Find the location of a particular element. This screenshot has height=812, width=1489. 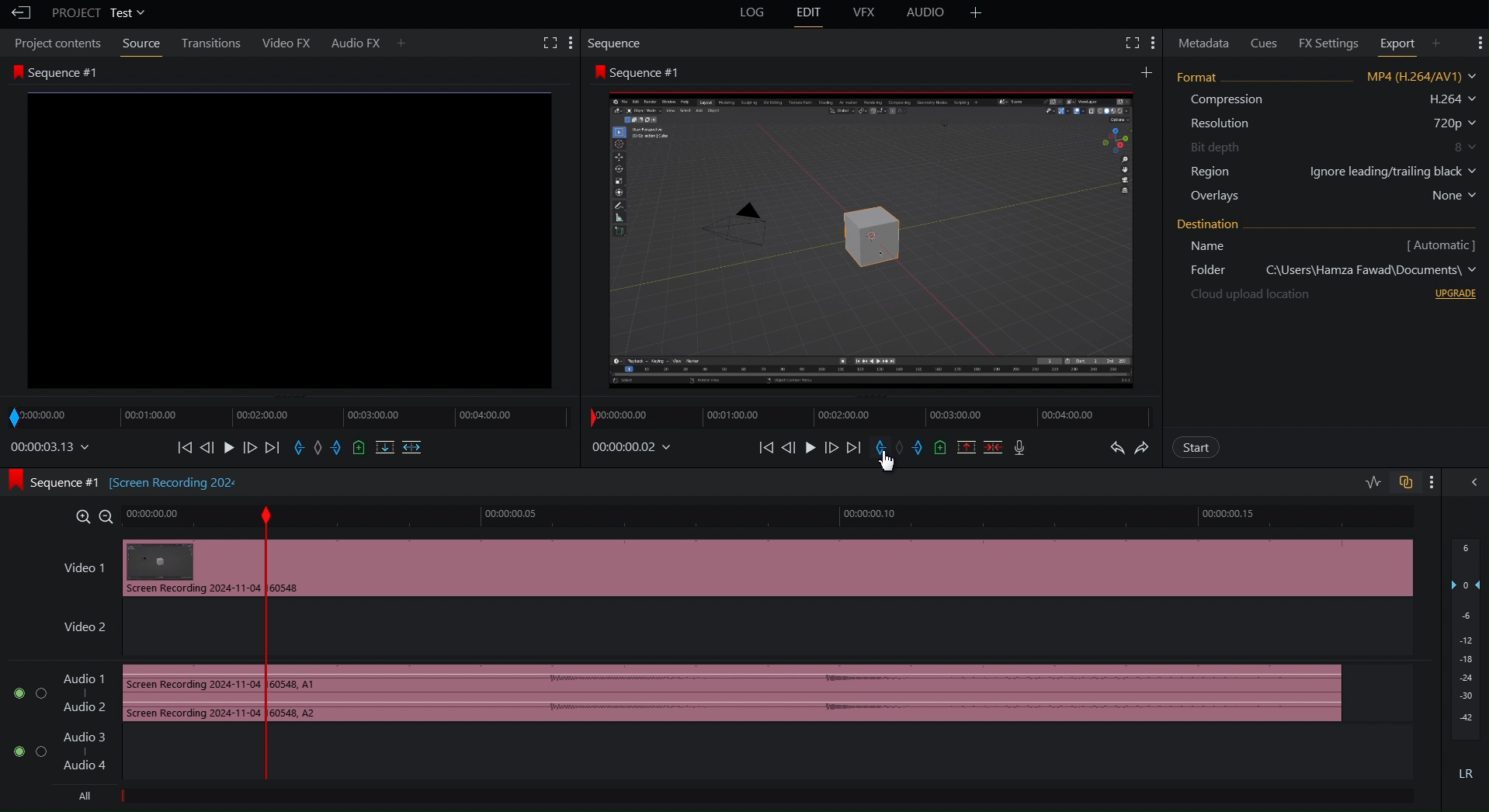

Redo is located at coordinates (1145, 446).